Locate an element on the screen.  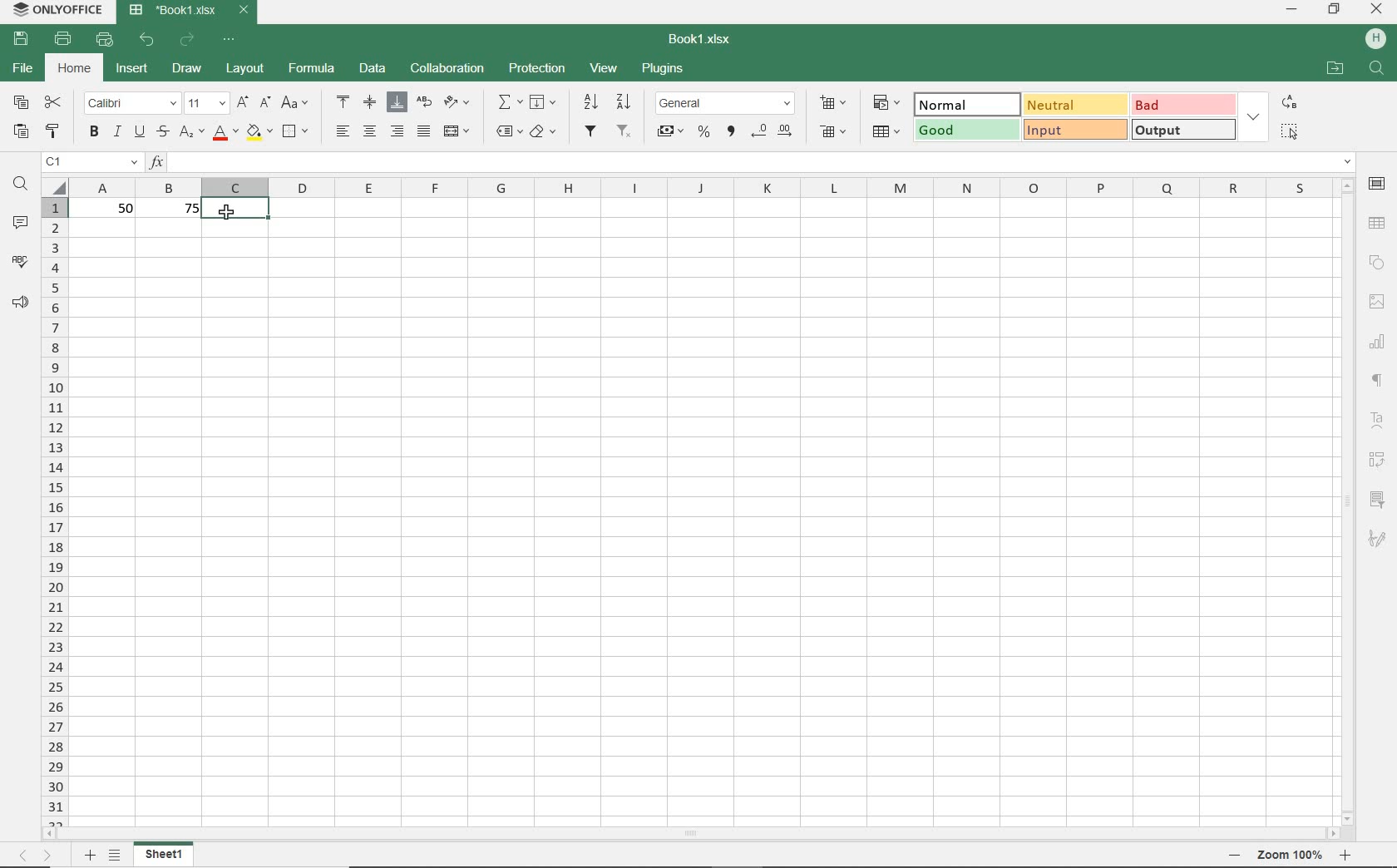
font size is located at coordinates (206, 104).